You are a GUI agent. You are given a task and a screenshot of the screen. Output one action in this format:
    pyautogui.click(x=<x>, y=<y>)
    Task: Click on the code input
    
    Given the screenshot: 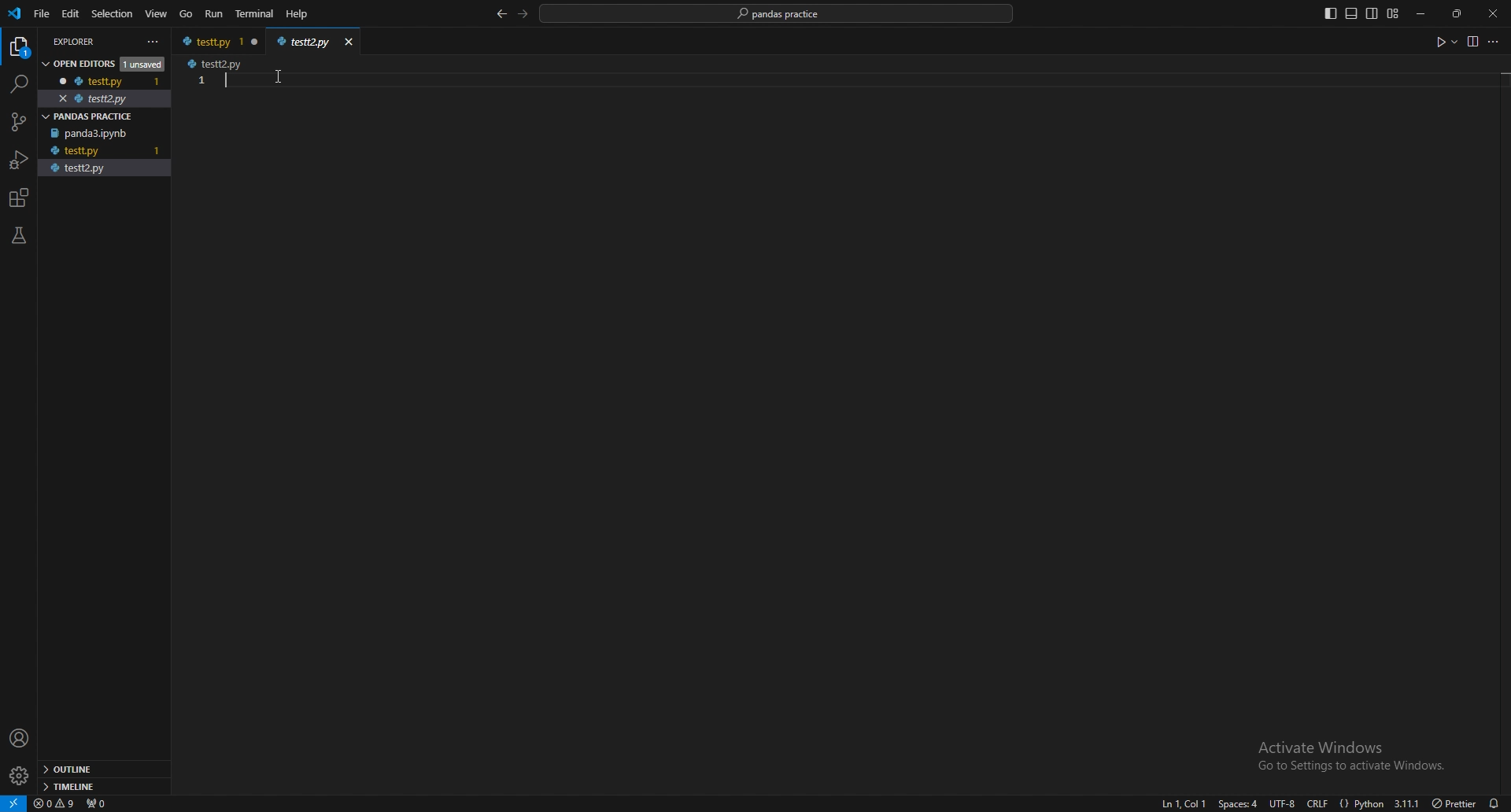 What is the action you would take?
    pyautogui.click(x=552, y=85)
    